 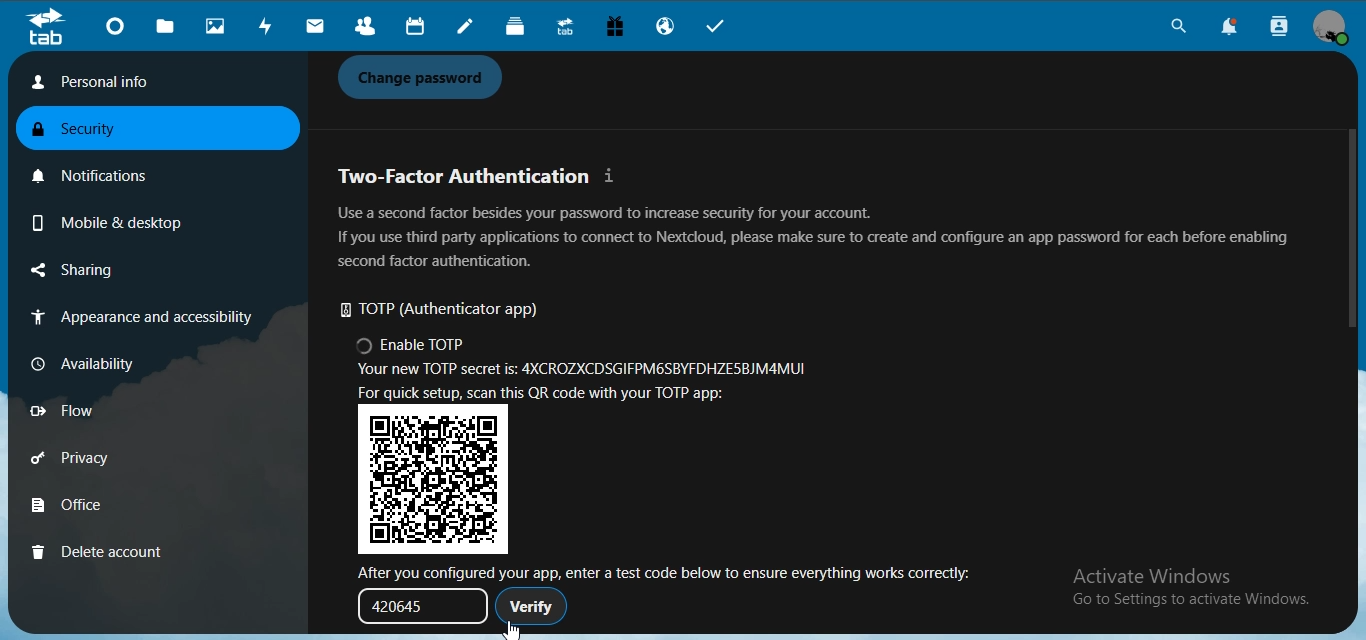 What do you see at coordinates (269, 26) in the screenshot?
I see `activity` at bounding box center [269, 26].